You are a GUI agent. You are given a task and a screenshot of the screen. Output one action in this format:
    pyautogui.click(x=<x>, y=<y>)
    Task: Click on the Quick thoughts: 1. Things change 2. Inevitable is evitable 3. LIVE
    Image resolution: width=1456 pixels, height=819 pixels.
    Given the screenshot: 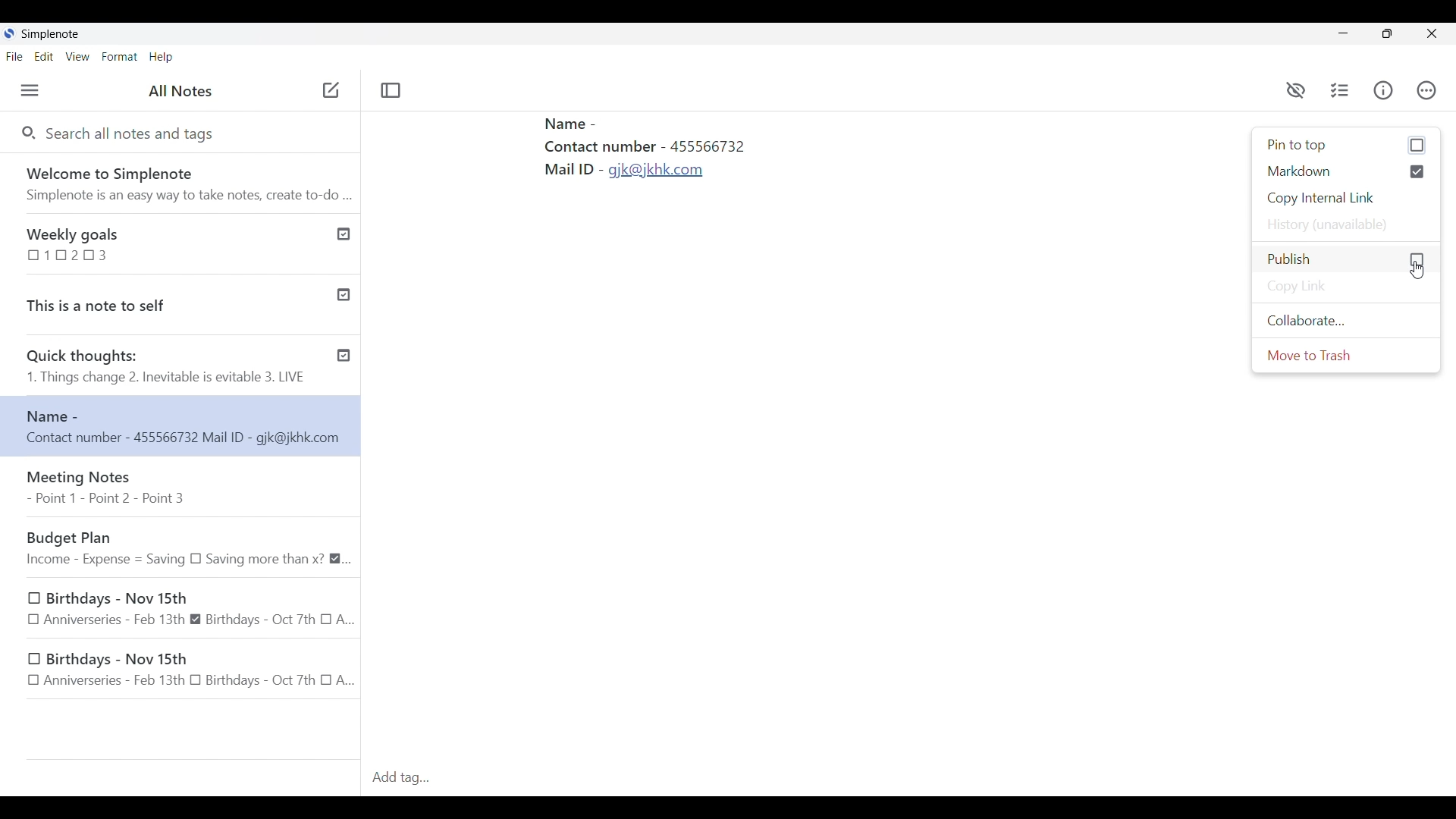 What is the action you would take?
    pyautogui.click(x=165, y=368)
    